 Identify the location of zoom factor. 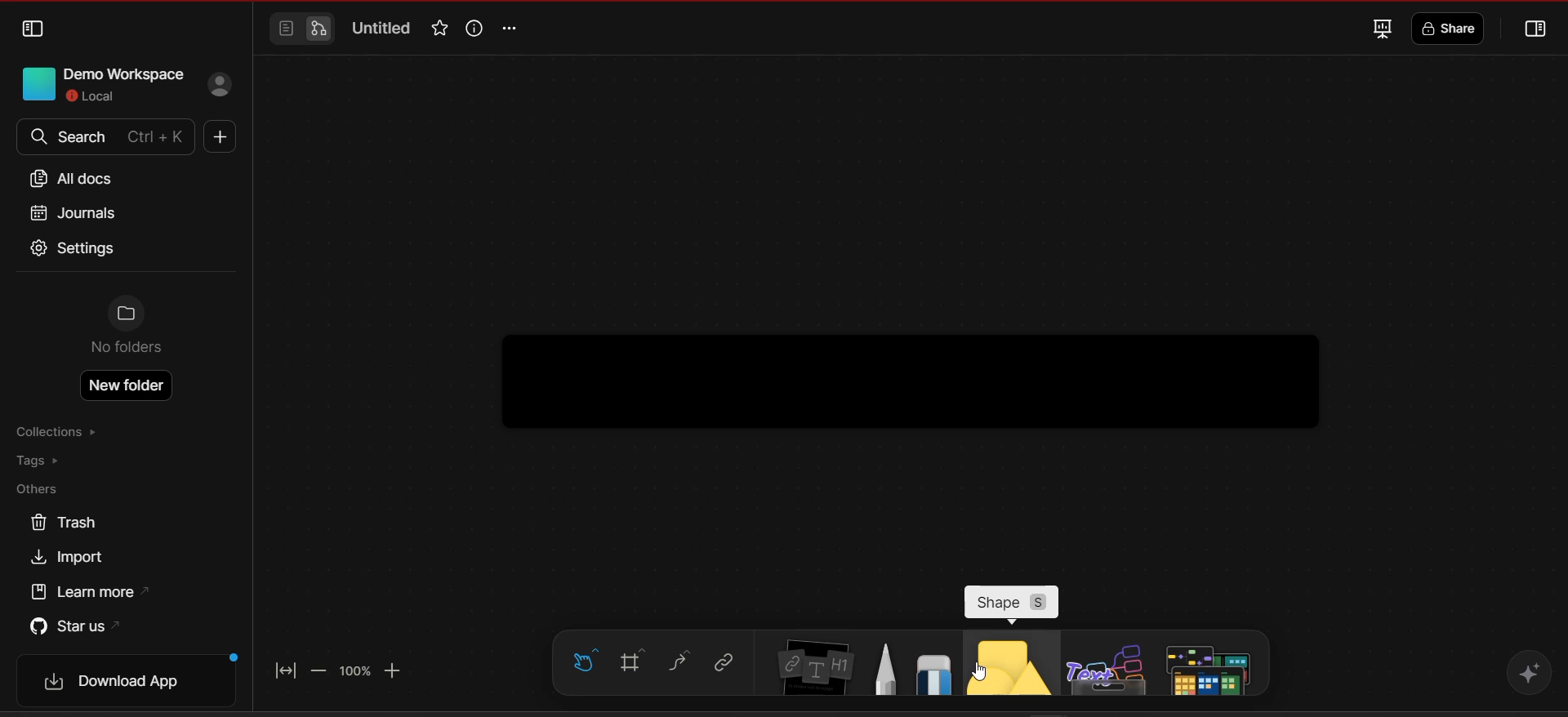
(354, 671).